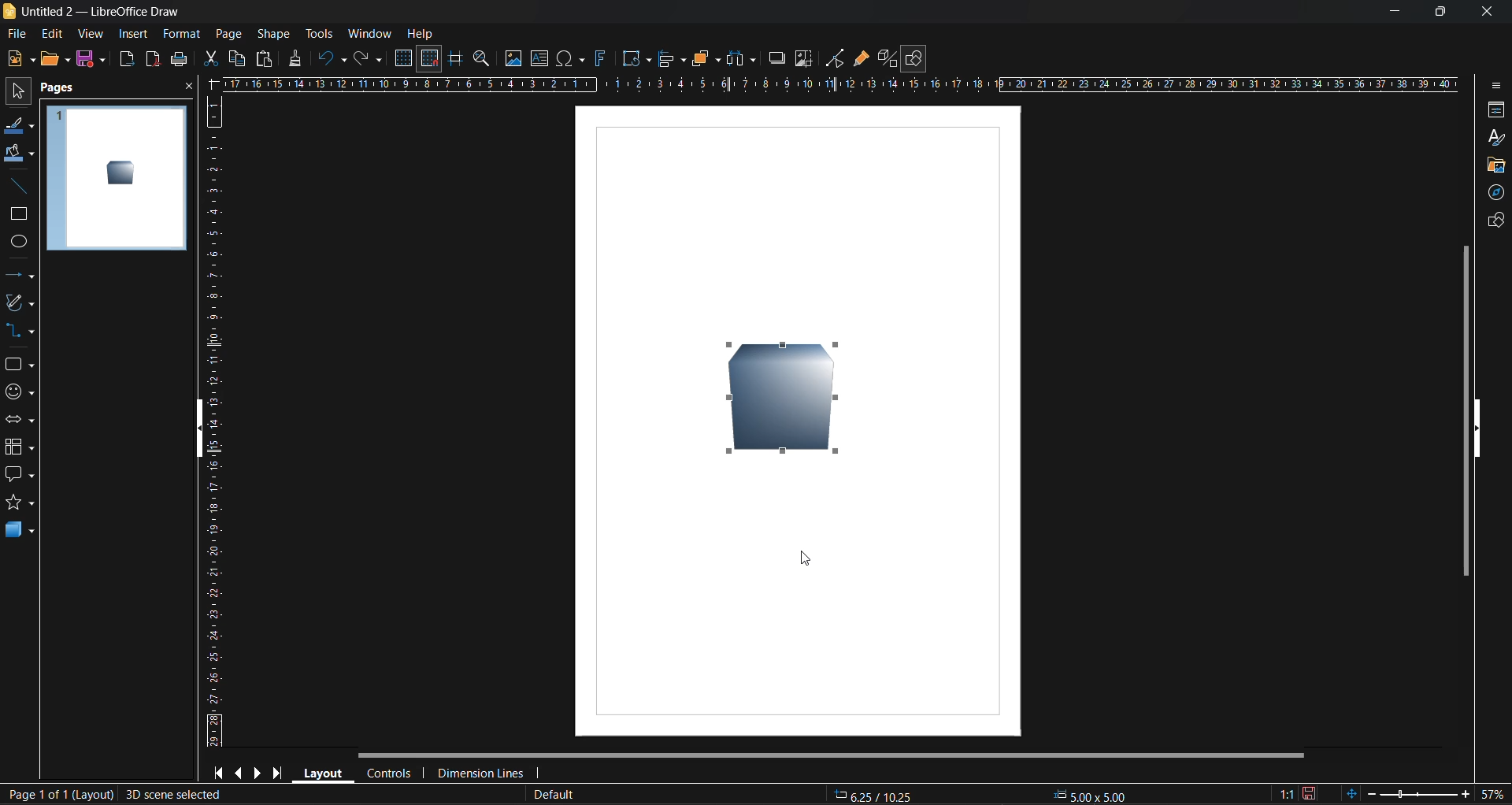 This screenshot has width=1512, height=805. What do you see at coordinates (20, 421) in the screenshot?
I see `block arrows` at bounding box center [20, 421].